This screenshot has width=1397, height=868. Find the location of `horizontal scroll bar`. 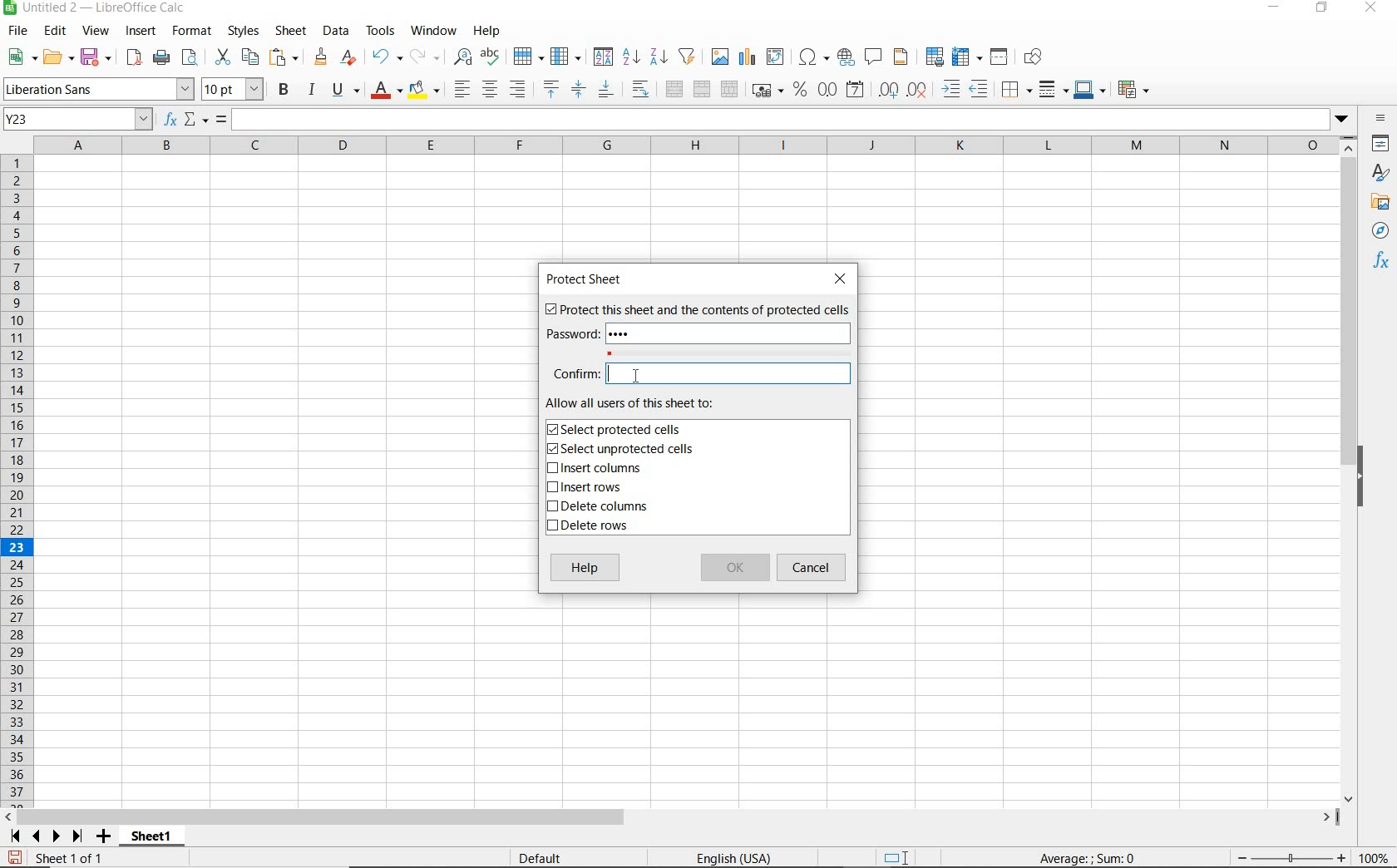

horizontal scroll bar is located at coordinates (682, 815).